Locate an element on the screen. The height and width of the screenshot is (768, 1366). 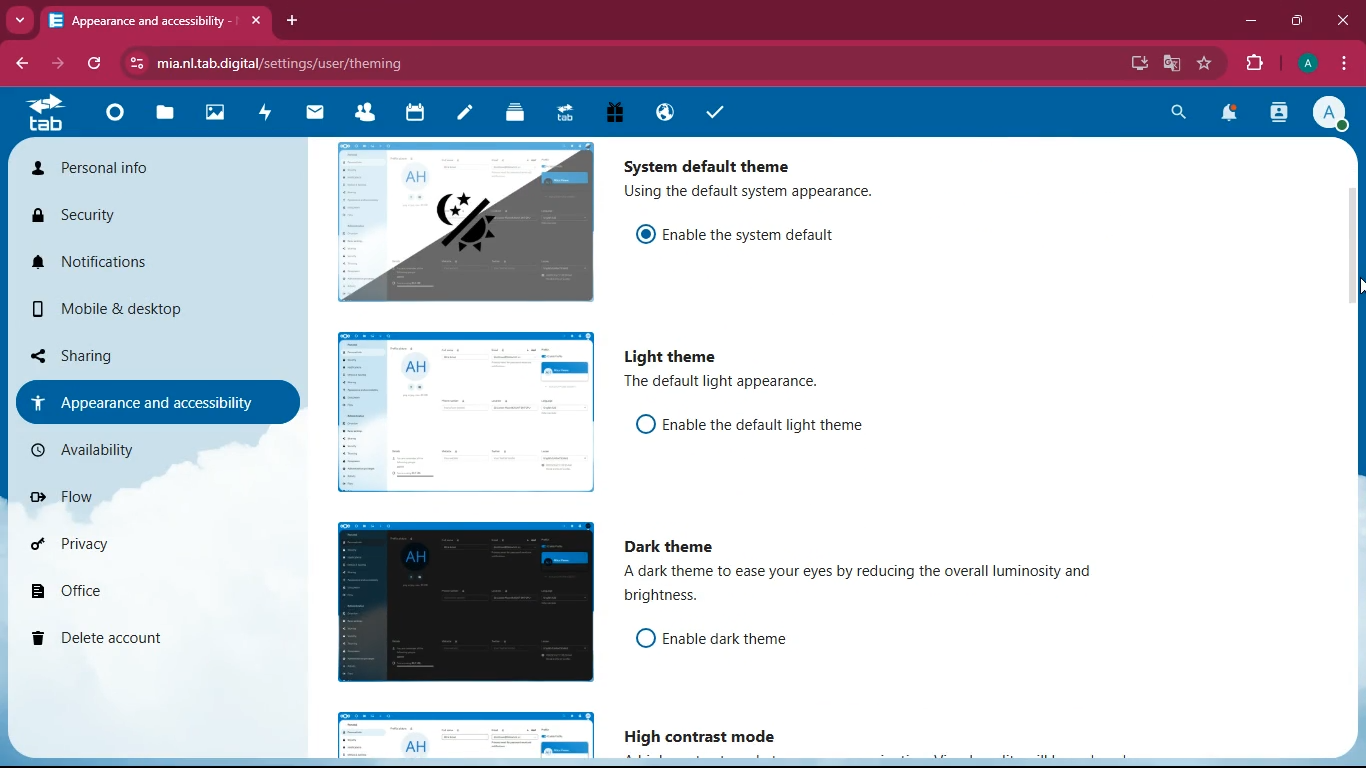
desktop is located at coordinates (1131, 63).